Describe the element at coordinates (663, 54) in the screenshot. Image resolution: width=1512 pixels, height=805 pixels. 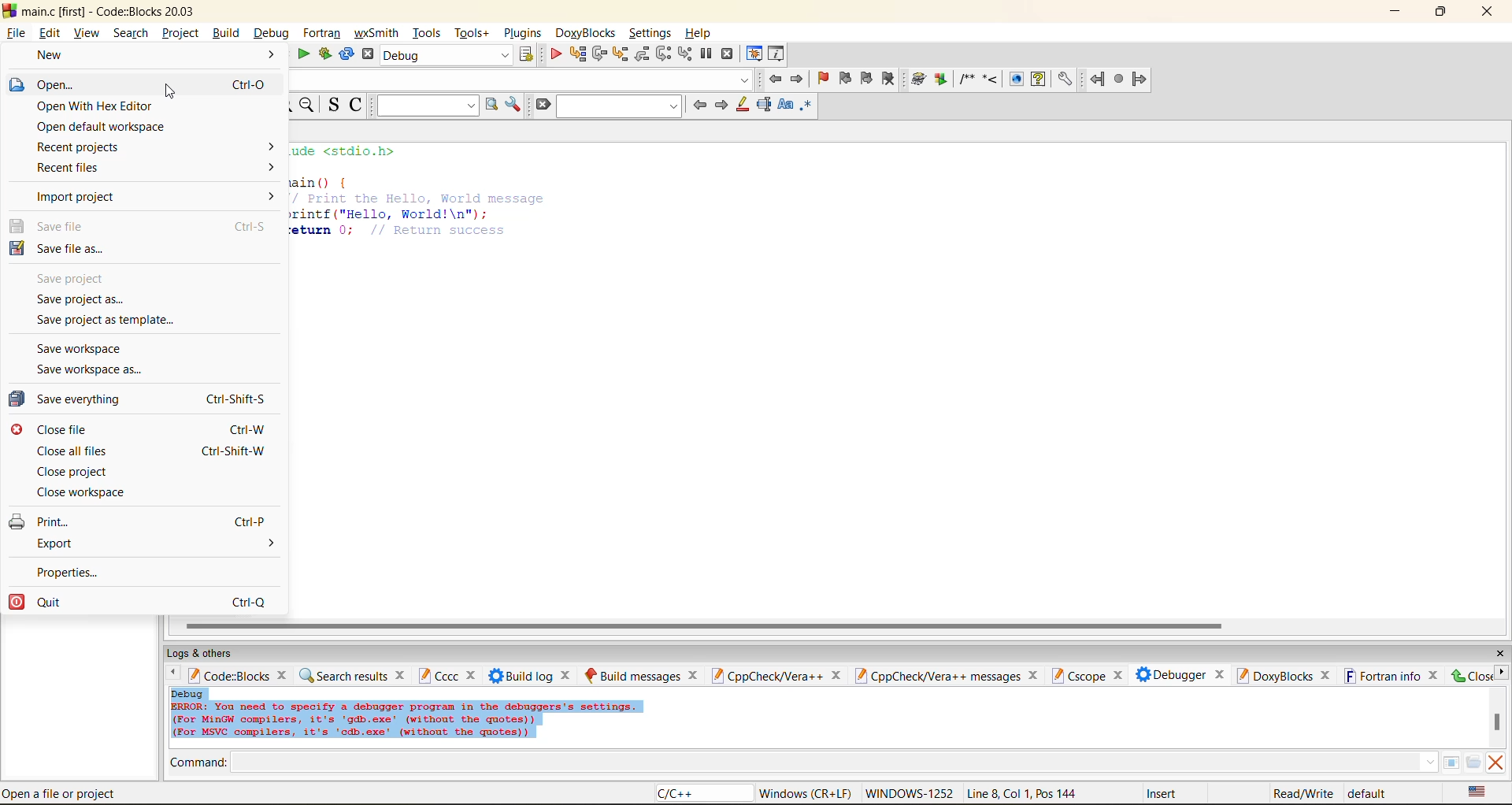
I see `next instruction` at that location.